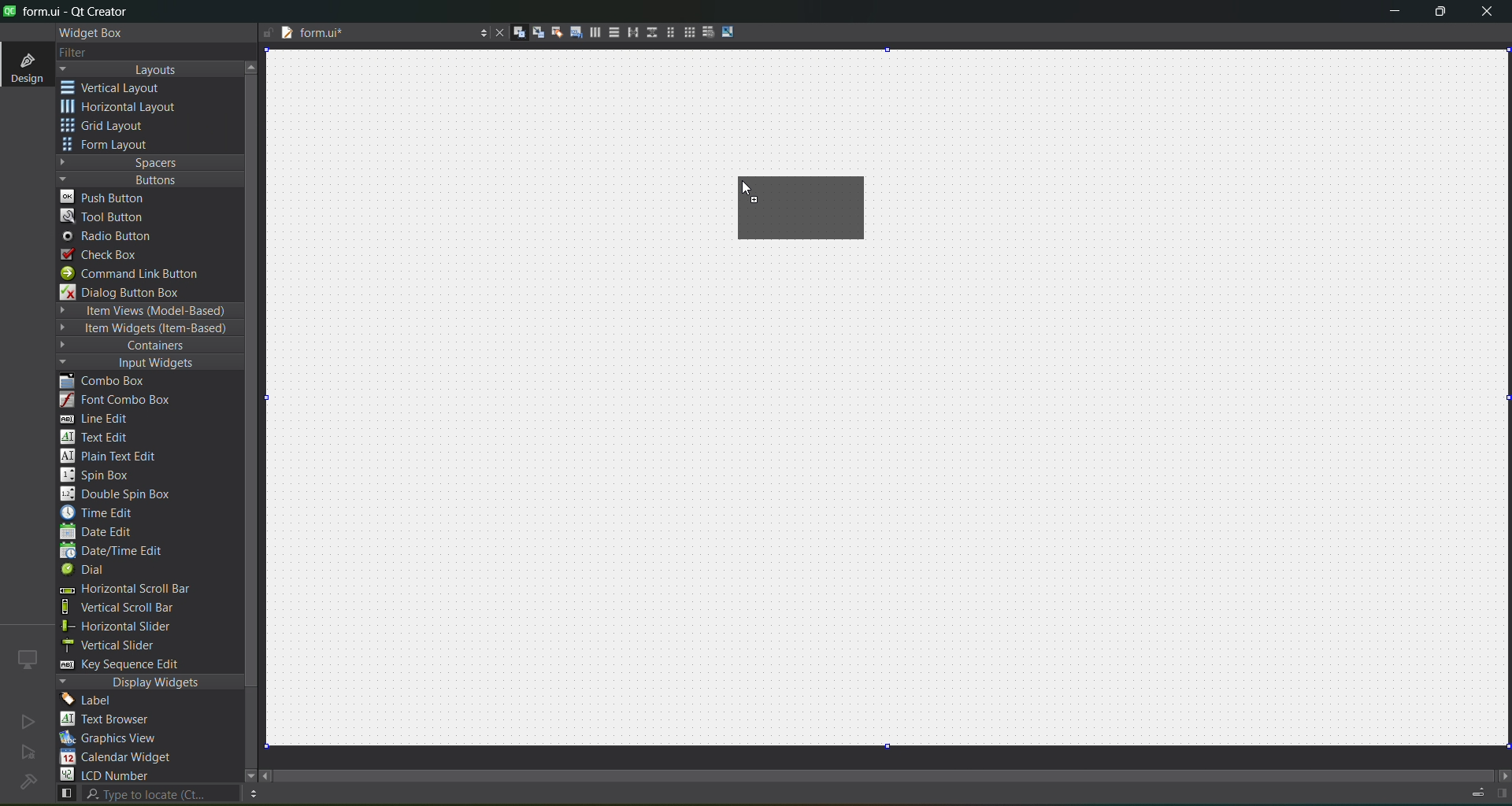  What do you see at coordinates (132, 292) in the screenshot?
I see `dialog box` at bounding box center [132, 292].